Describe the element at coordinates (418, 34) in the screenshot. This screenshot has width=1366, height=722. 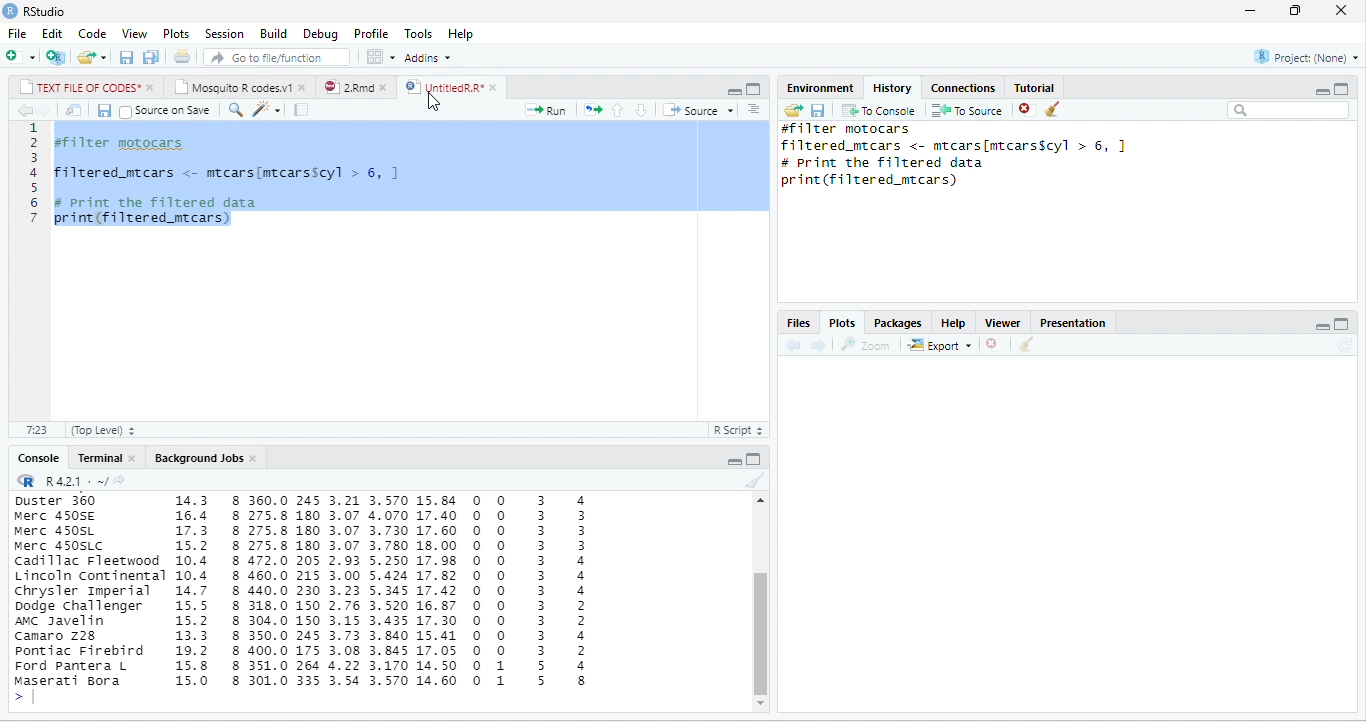
I see `Tools` at that location.